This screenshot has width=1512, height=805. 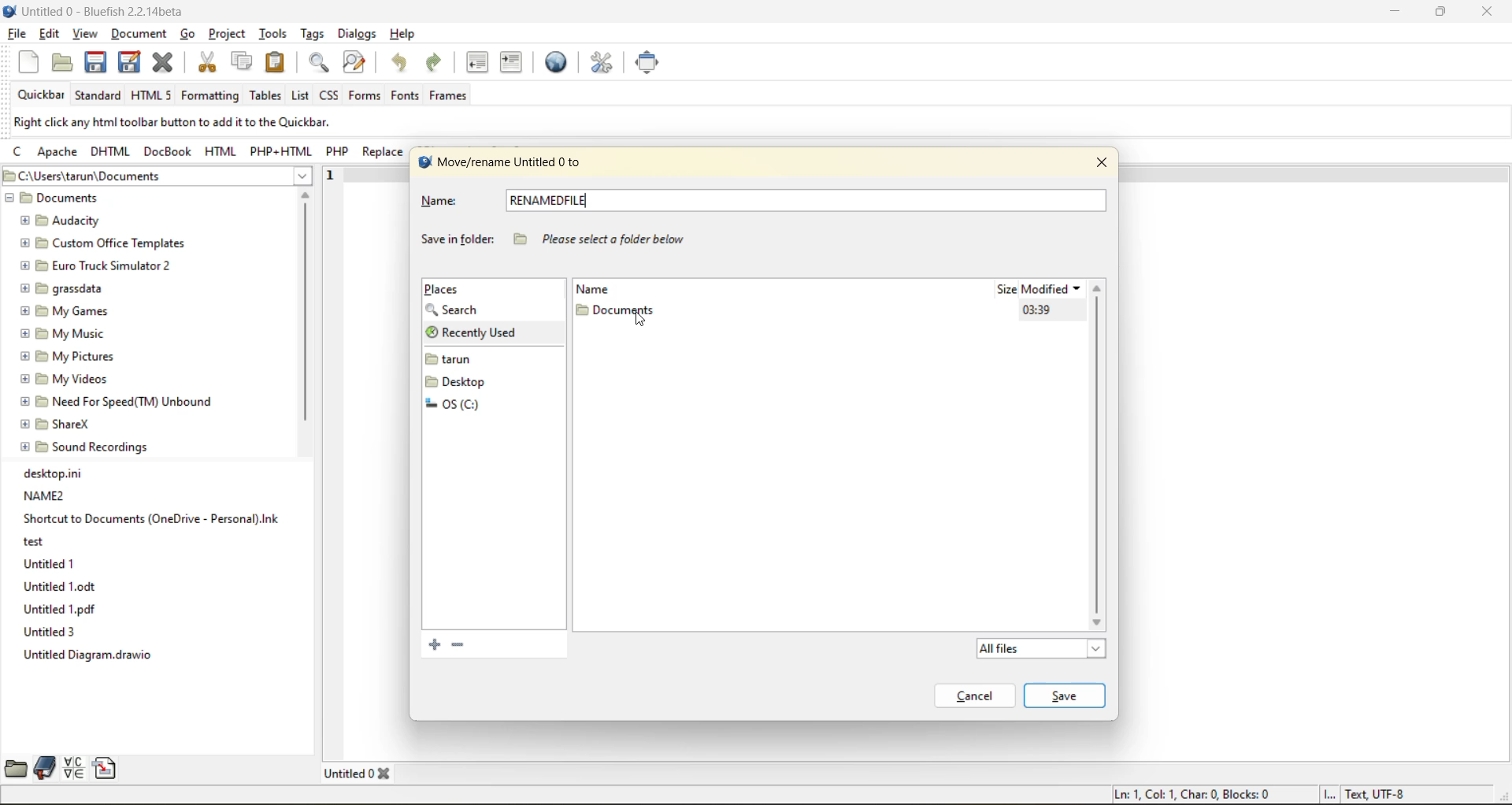 What do you see at coordinates (118, 402) in the screenshot?
I see `Need For Speed(TM) Unbound` at bounding box center [118, 402].